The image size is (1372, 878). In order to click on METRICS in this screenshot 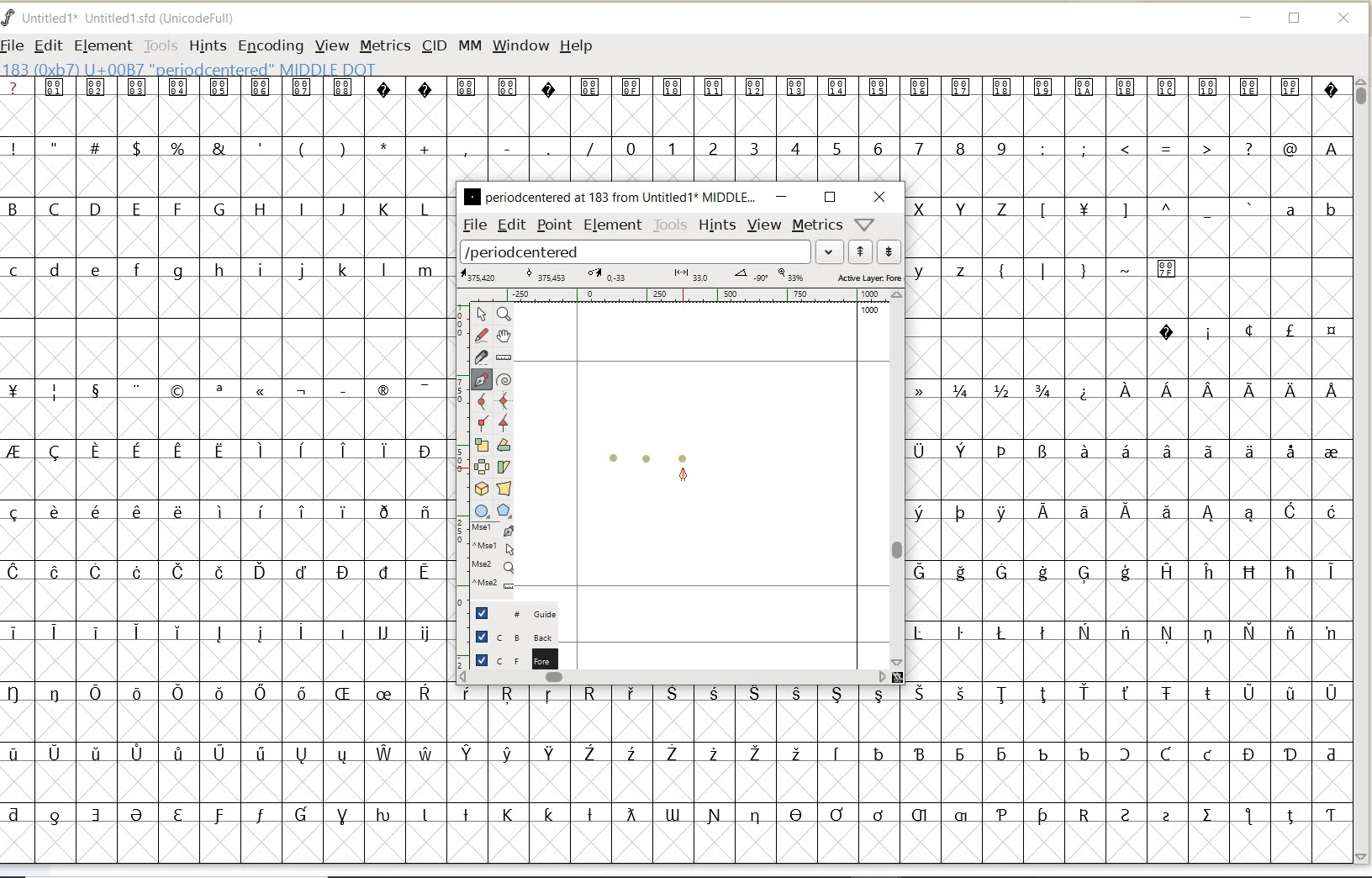, I will do `click(384, 47)`.